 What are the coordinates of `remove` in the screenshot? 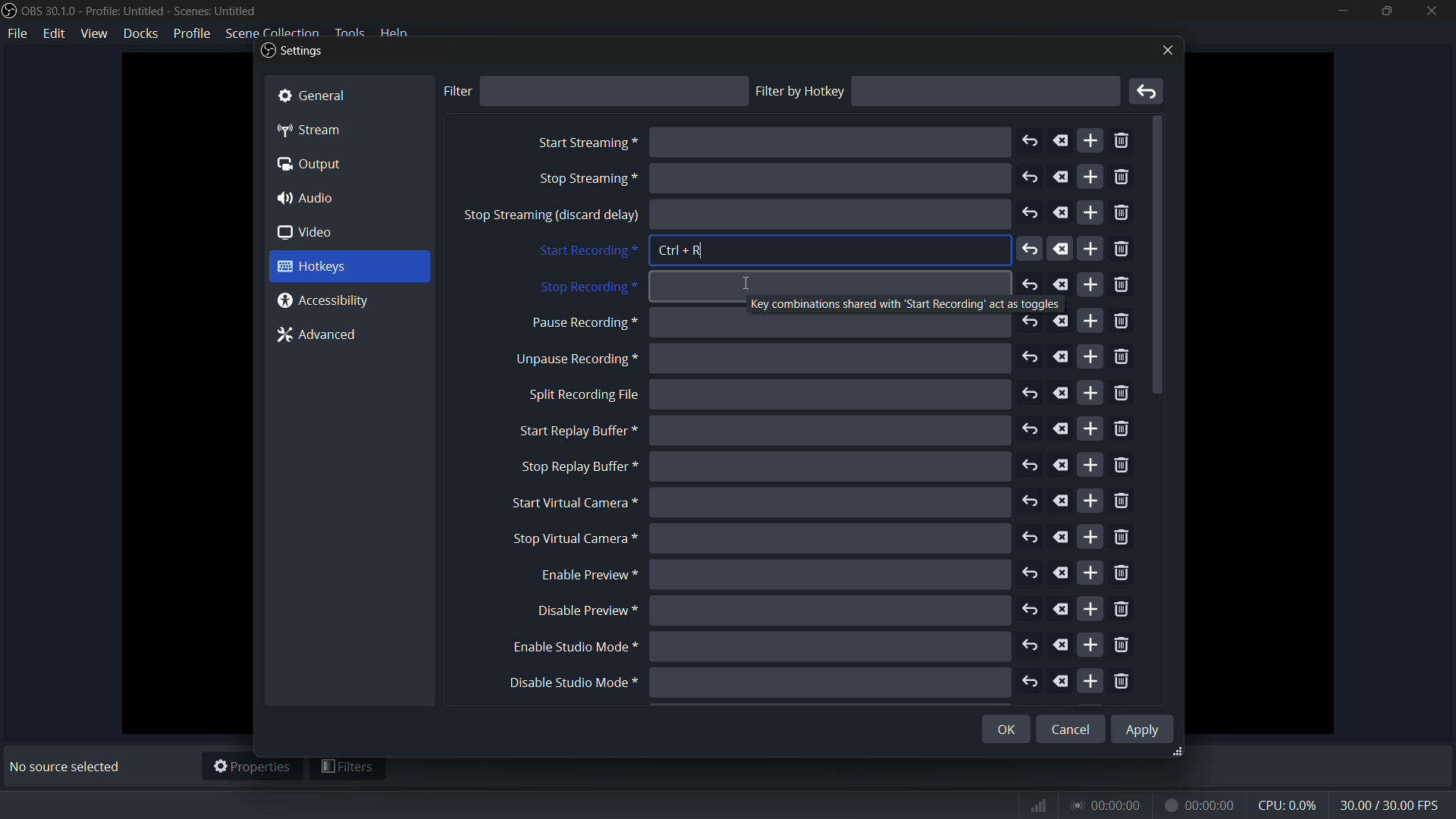 It's located at (1122, 682).